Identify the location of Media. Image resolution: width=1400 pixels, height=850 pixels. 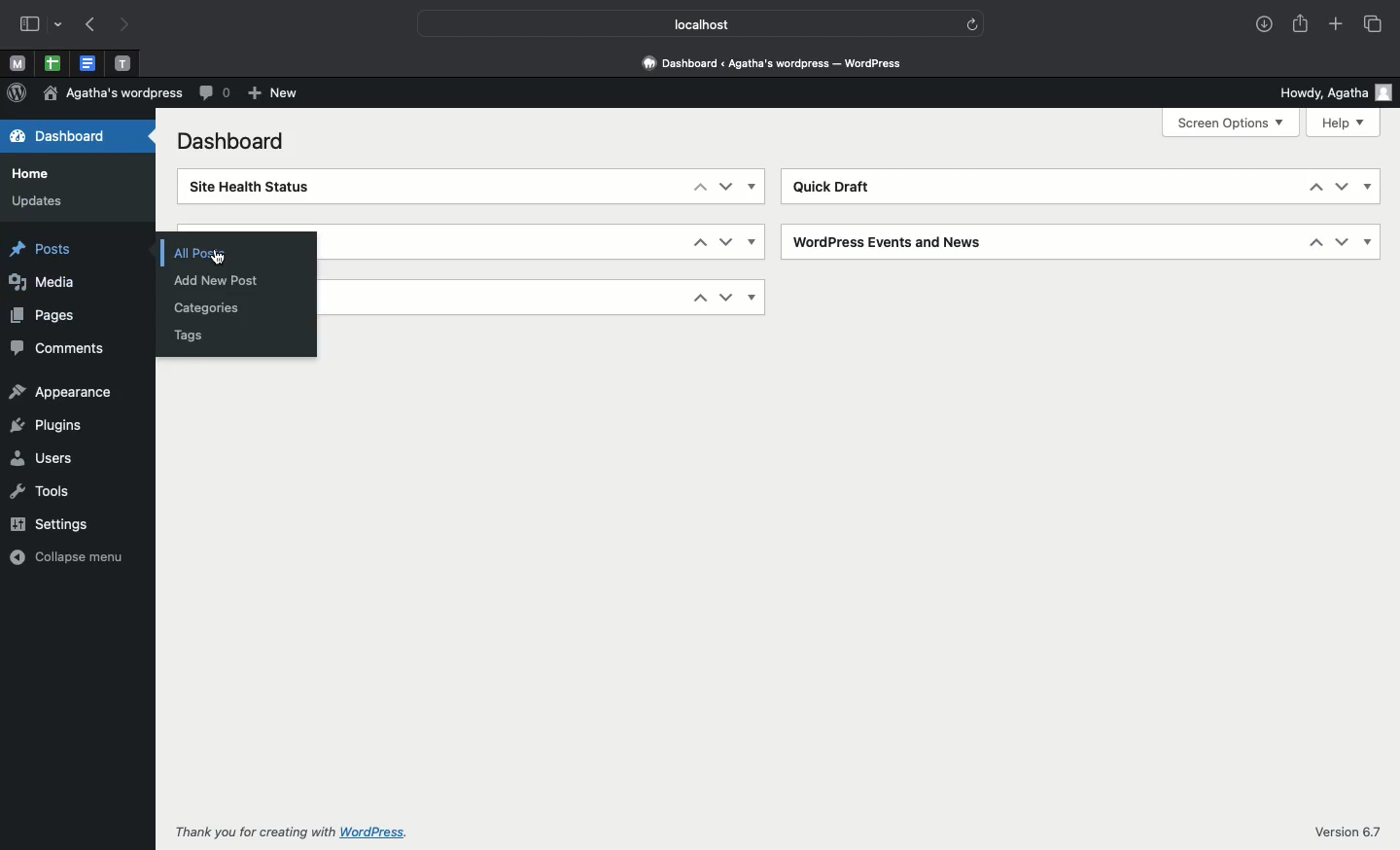
(42, 281).